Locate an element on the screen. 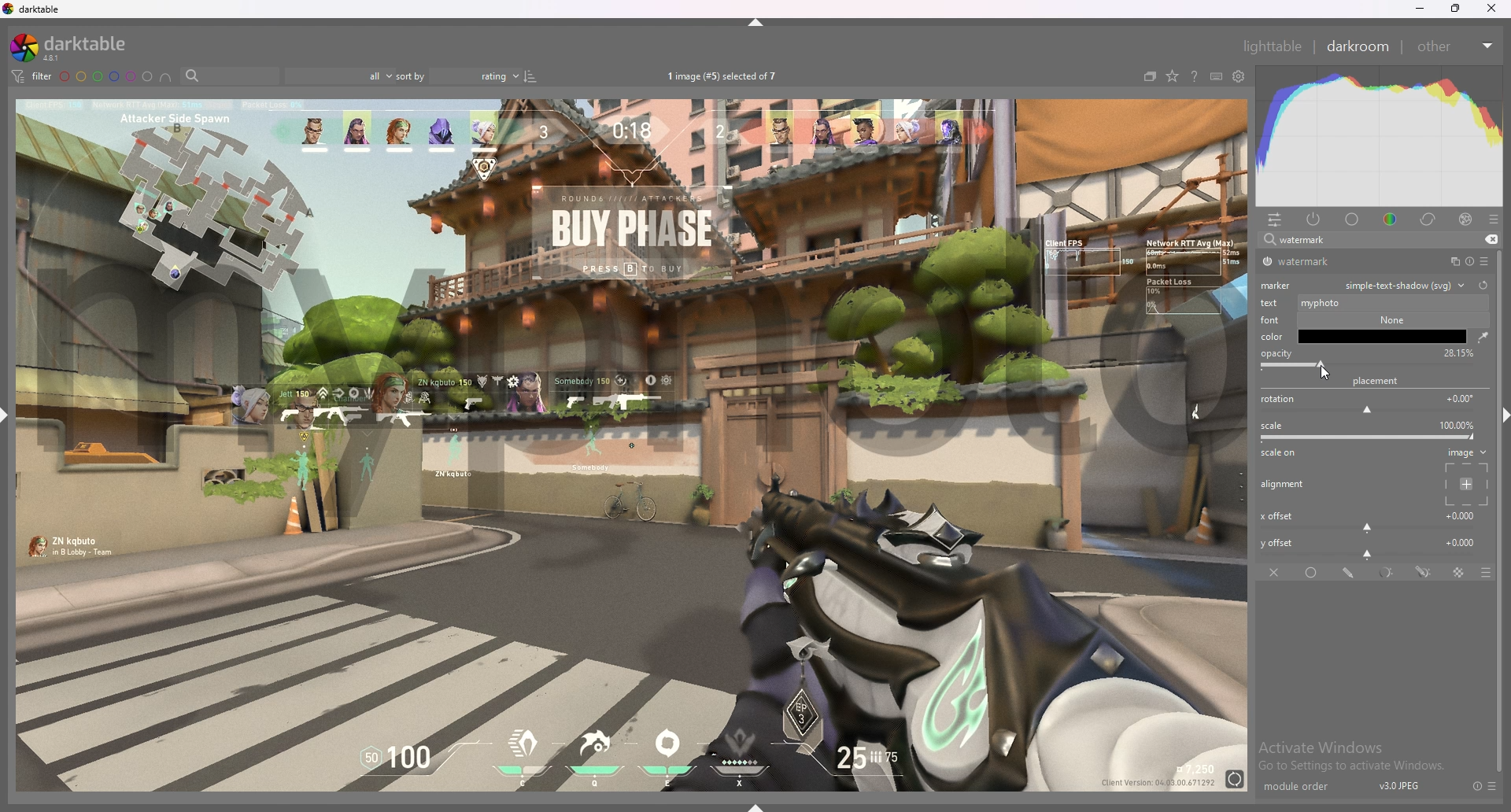 The image size is (1511, 812). image is located at coordinates (1464, 476).